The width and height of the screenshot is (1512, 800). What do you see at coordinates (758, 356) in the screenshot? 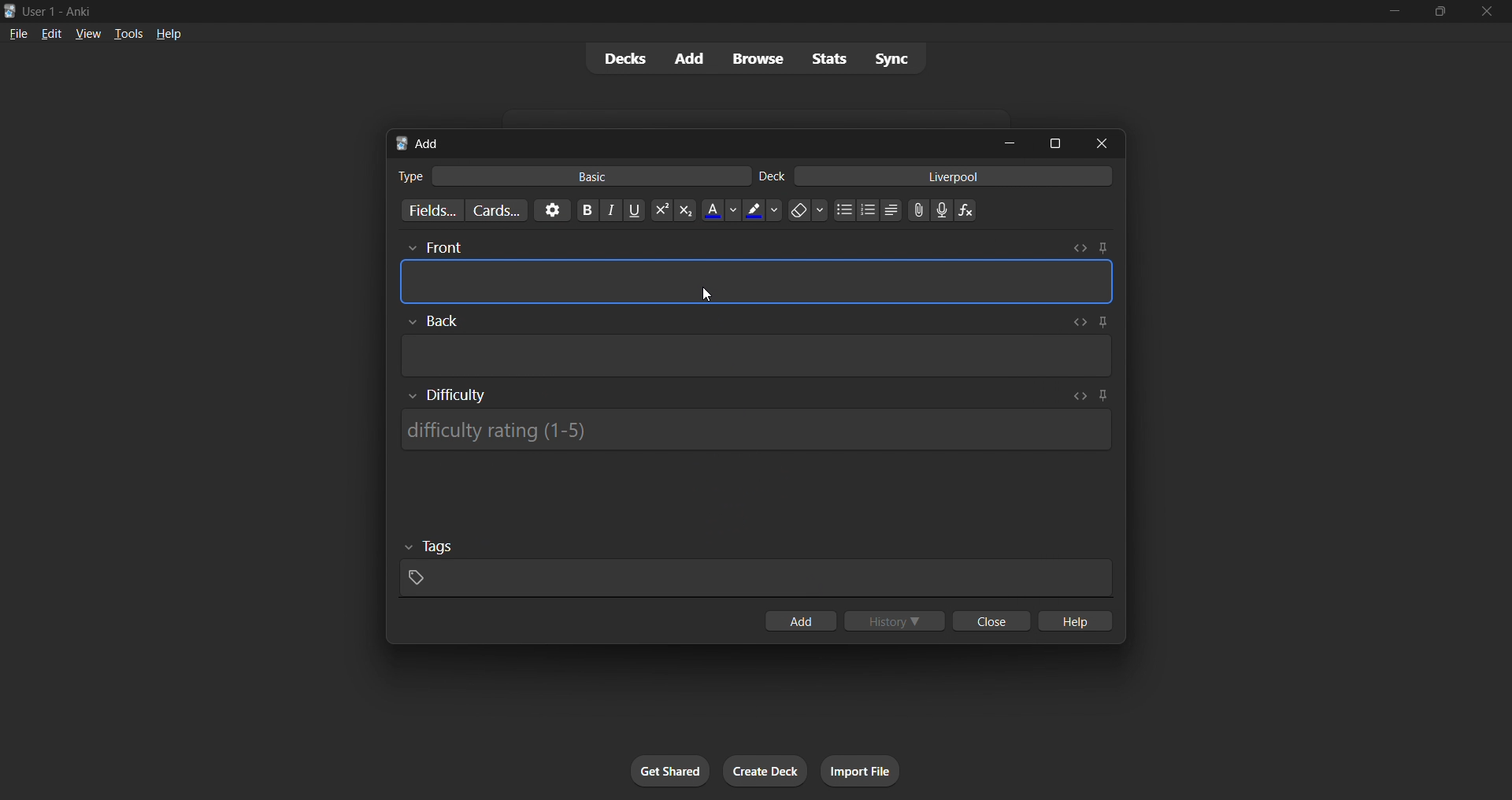
I see `card back input` at bounding box center [758, 356].